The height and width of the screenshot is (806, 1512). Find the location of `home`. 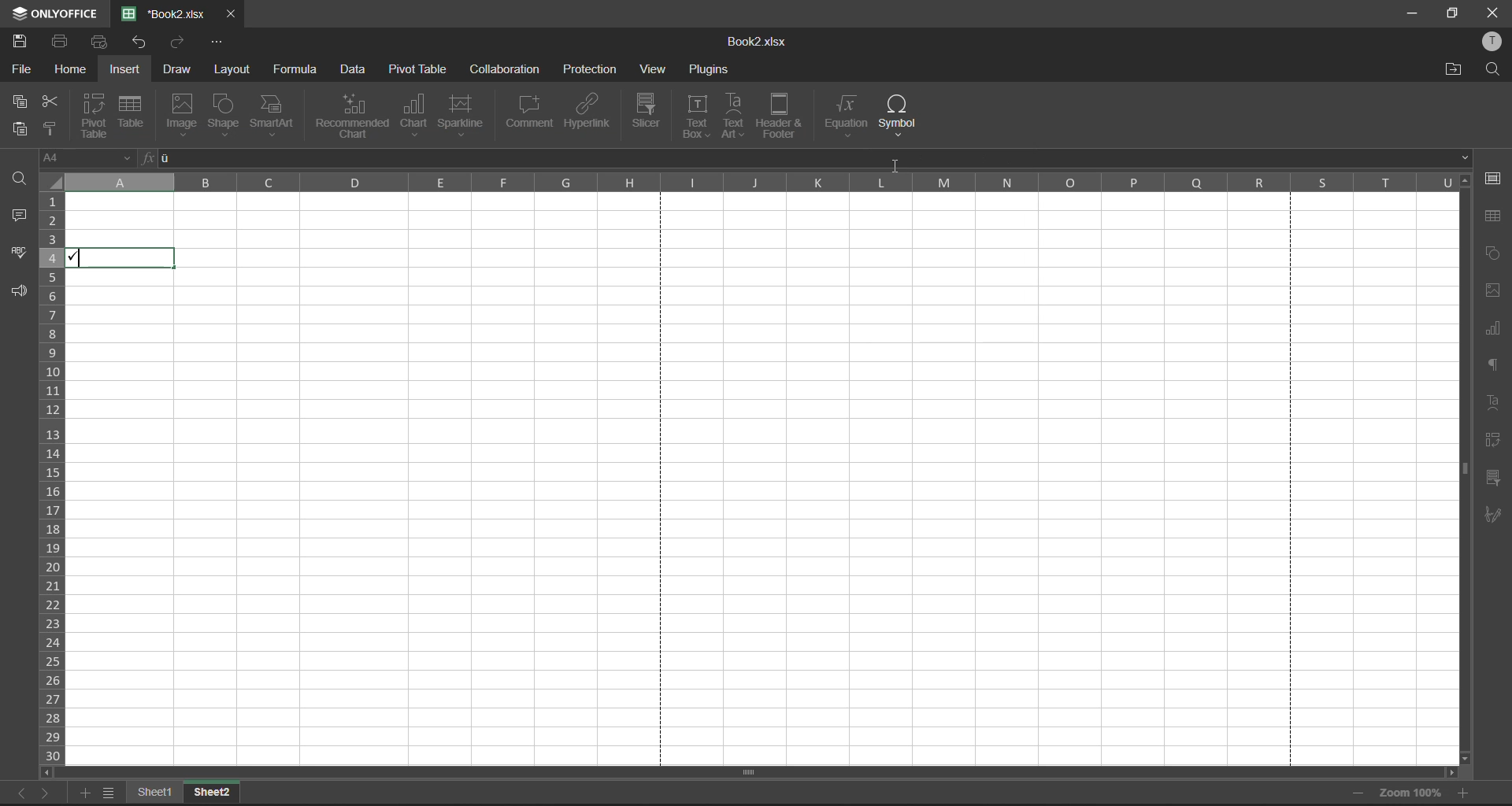

home is located at coordinates (69, 70).